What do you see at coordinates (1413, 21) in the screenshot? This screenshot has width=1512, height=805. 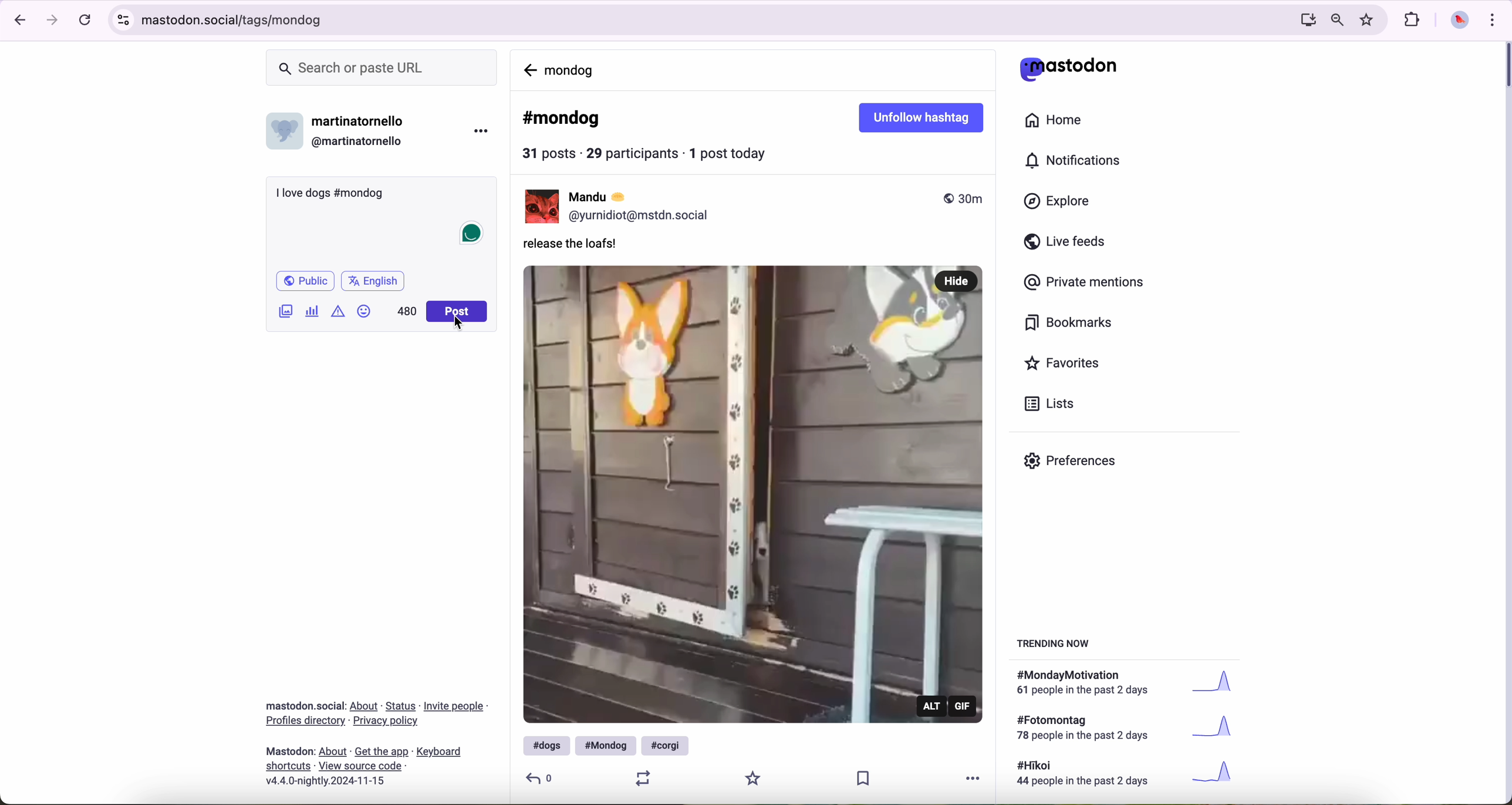 I see `extensions` at bounding box center [1413, 21].